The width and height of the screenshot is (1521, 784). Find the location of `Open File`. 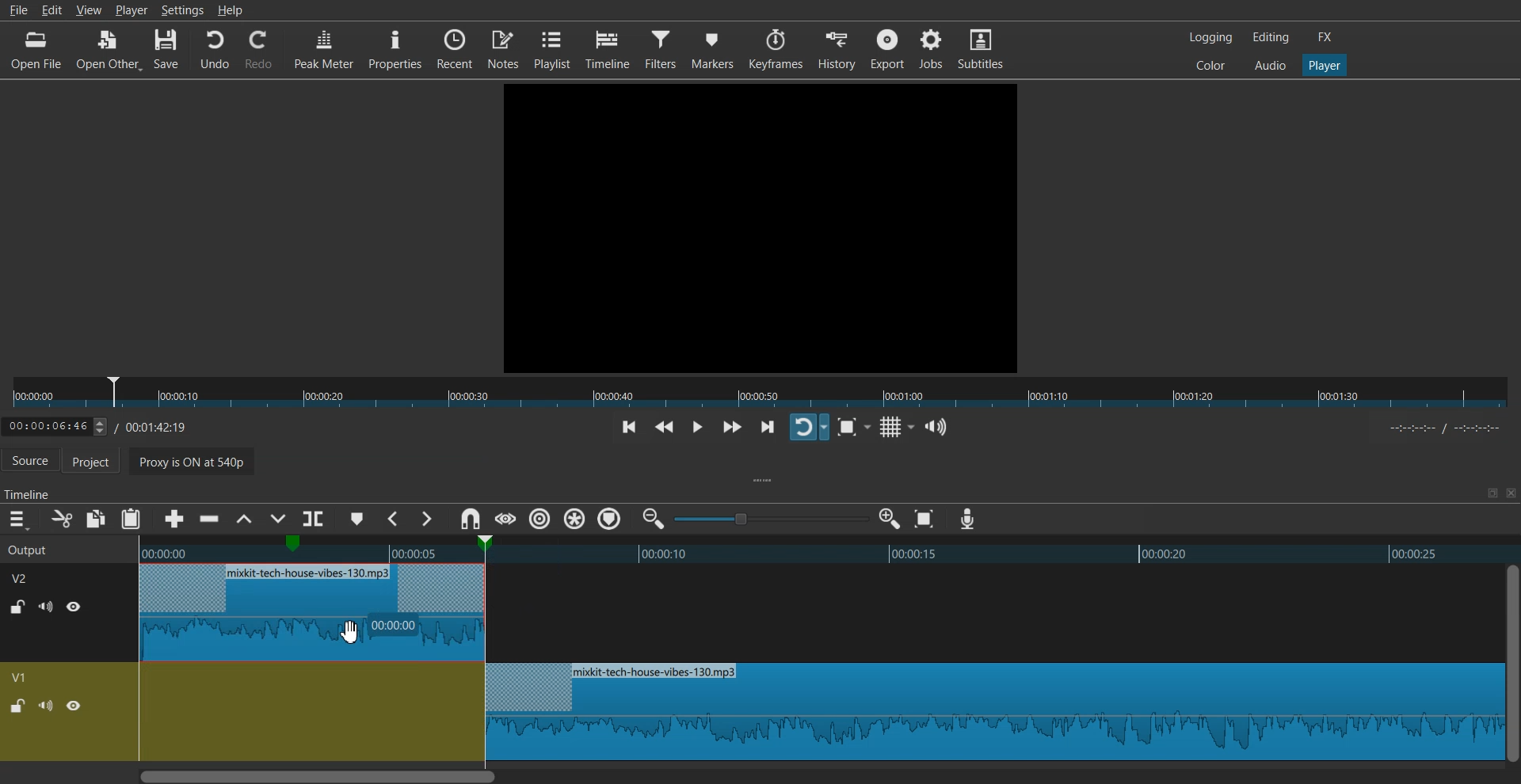

Open File is located at coordinates (38, 50).